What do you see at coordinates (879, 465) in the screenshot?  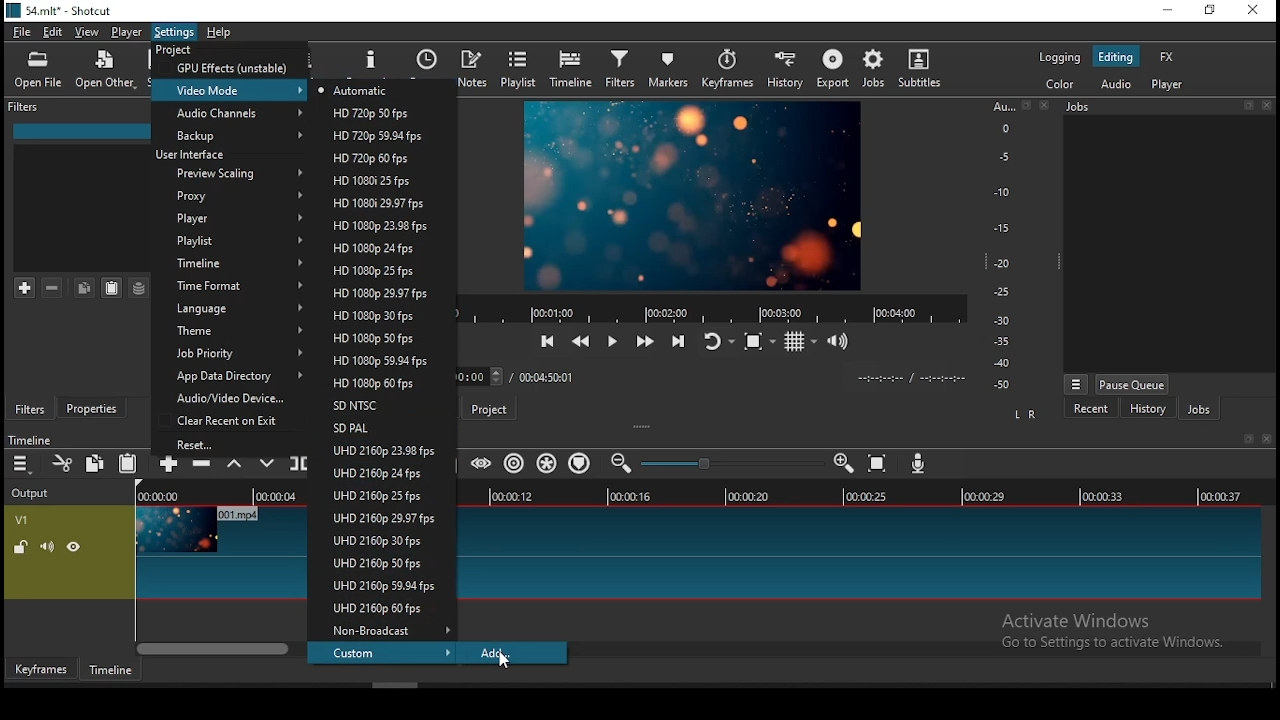 I see `zoom timeline to fit` at bounding box center [879, 465].